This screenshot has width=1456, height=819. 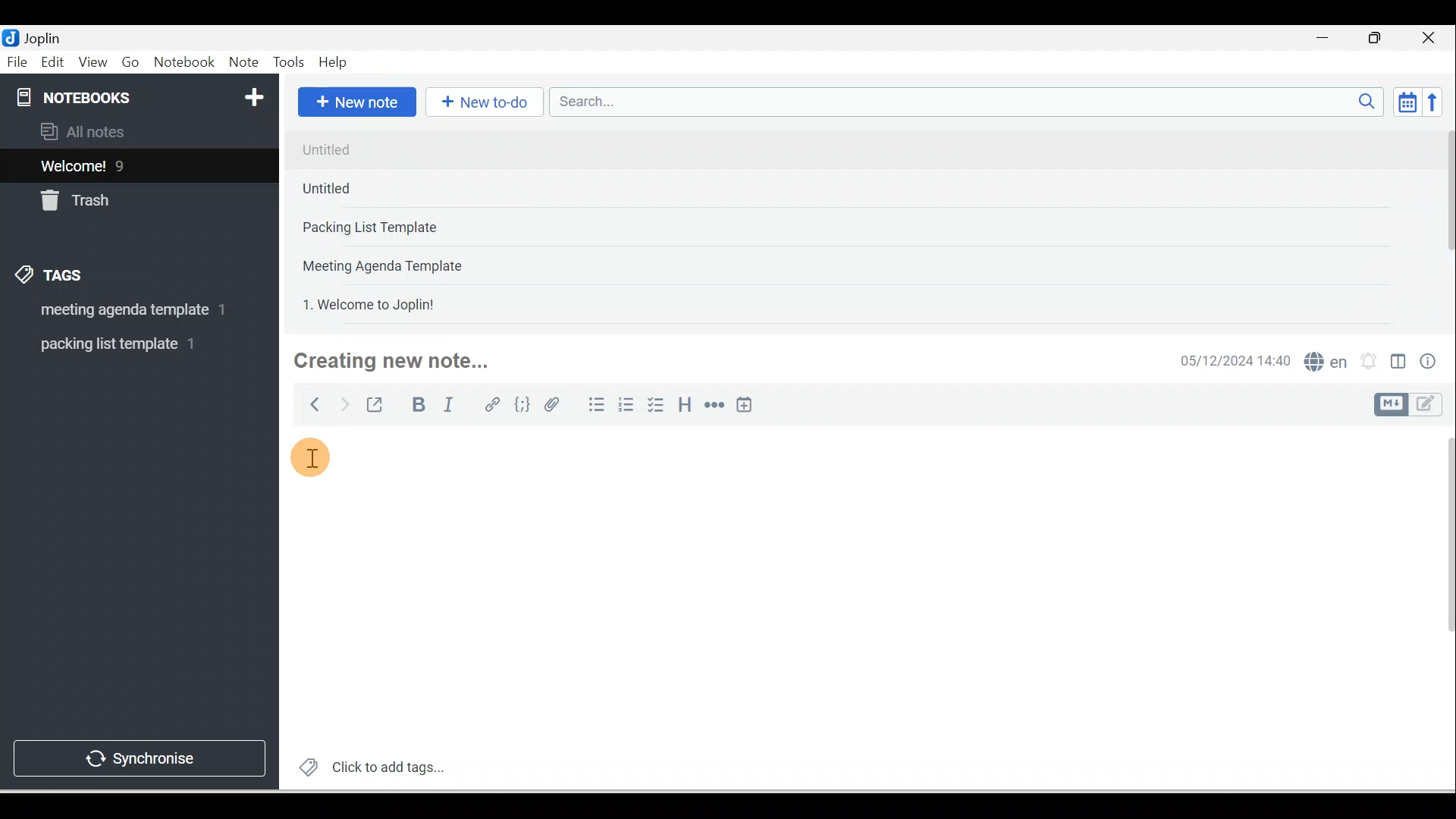 I want to click on Note, so click(x=242, y=63).